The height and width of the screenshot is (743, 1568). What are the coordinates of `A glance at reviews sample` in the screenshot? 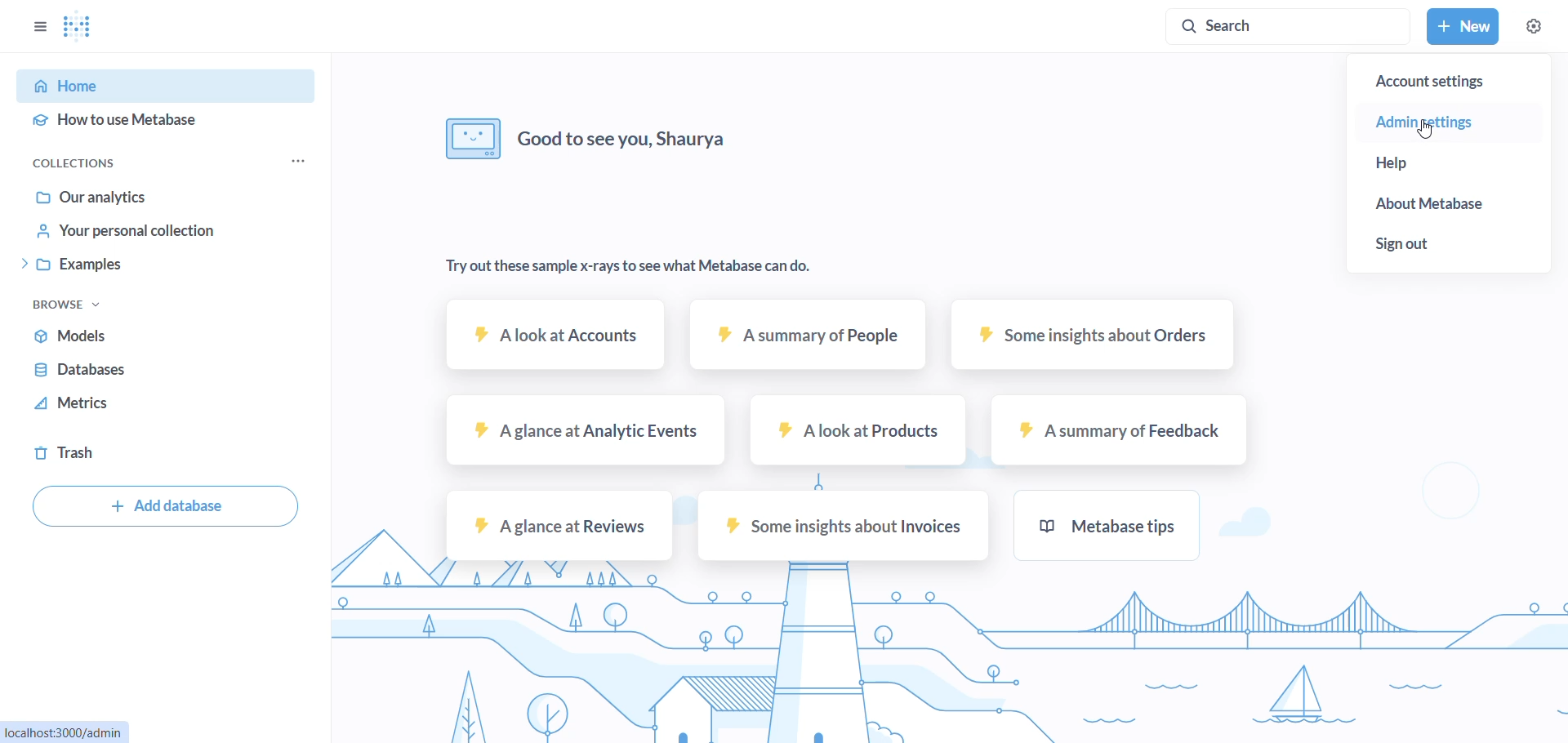 It's located at (558, 525).